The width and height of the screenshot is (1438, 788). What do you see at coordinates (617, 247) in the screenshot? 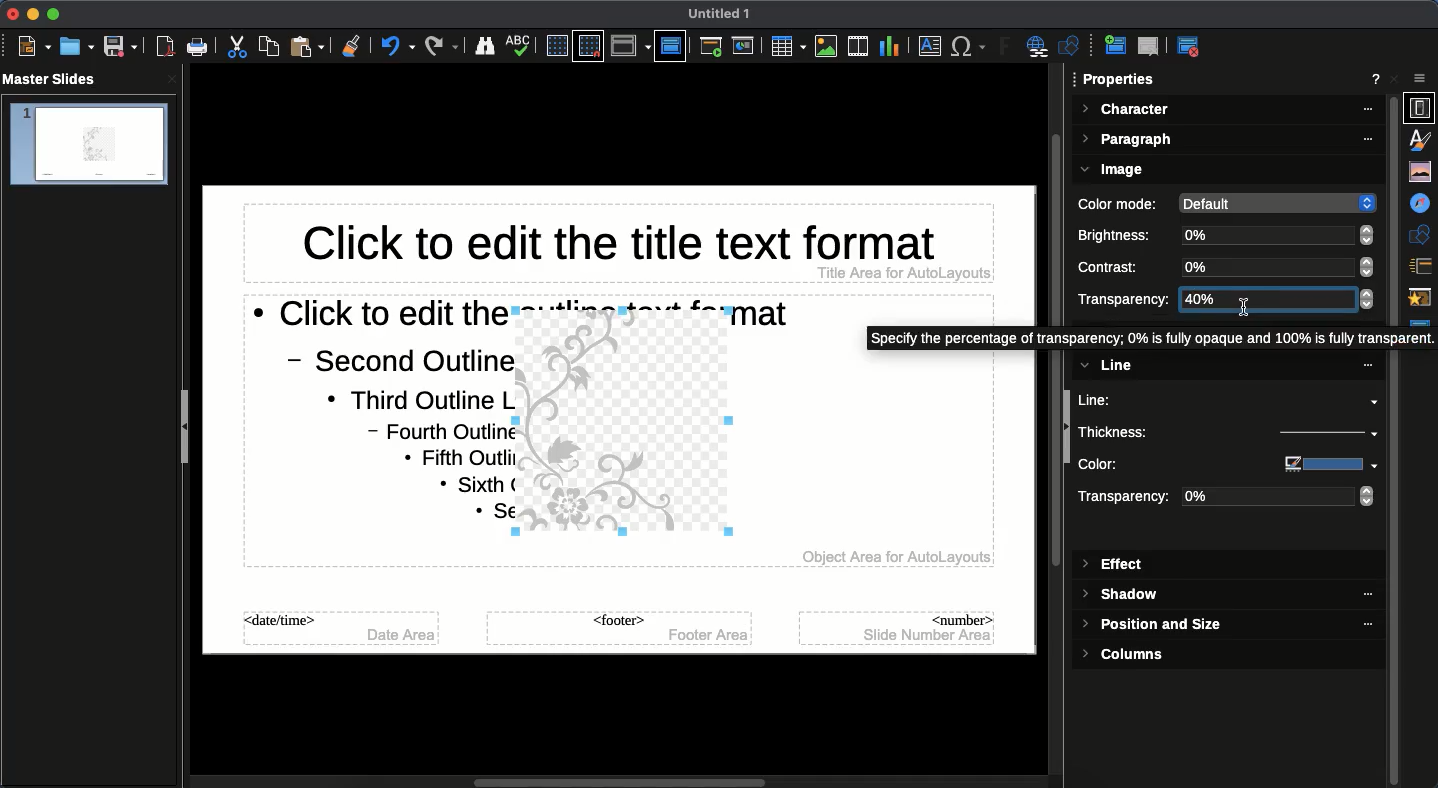
I see `Master slide title` at bounding box center [617, 247].